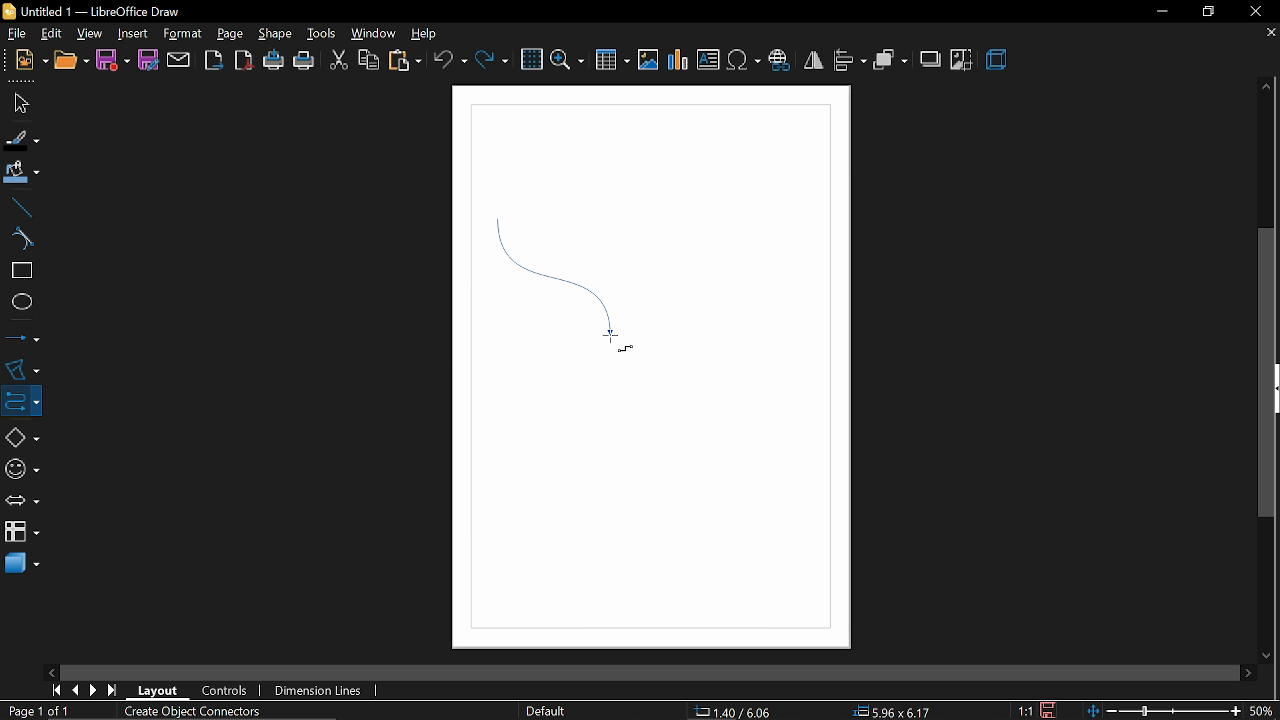 Image resolution: width=1280 pixels, height=720 pixels. Describe the element at coordinates (337, 62) in the screenshot. I see `cut ` at that location.